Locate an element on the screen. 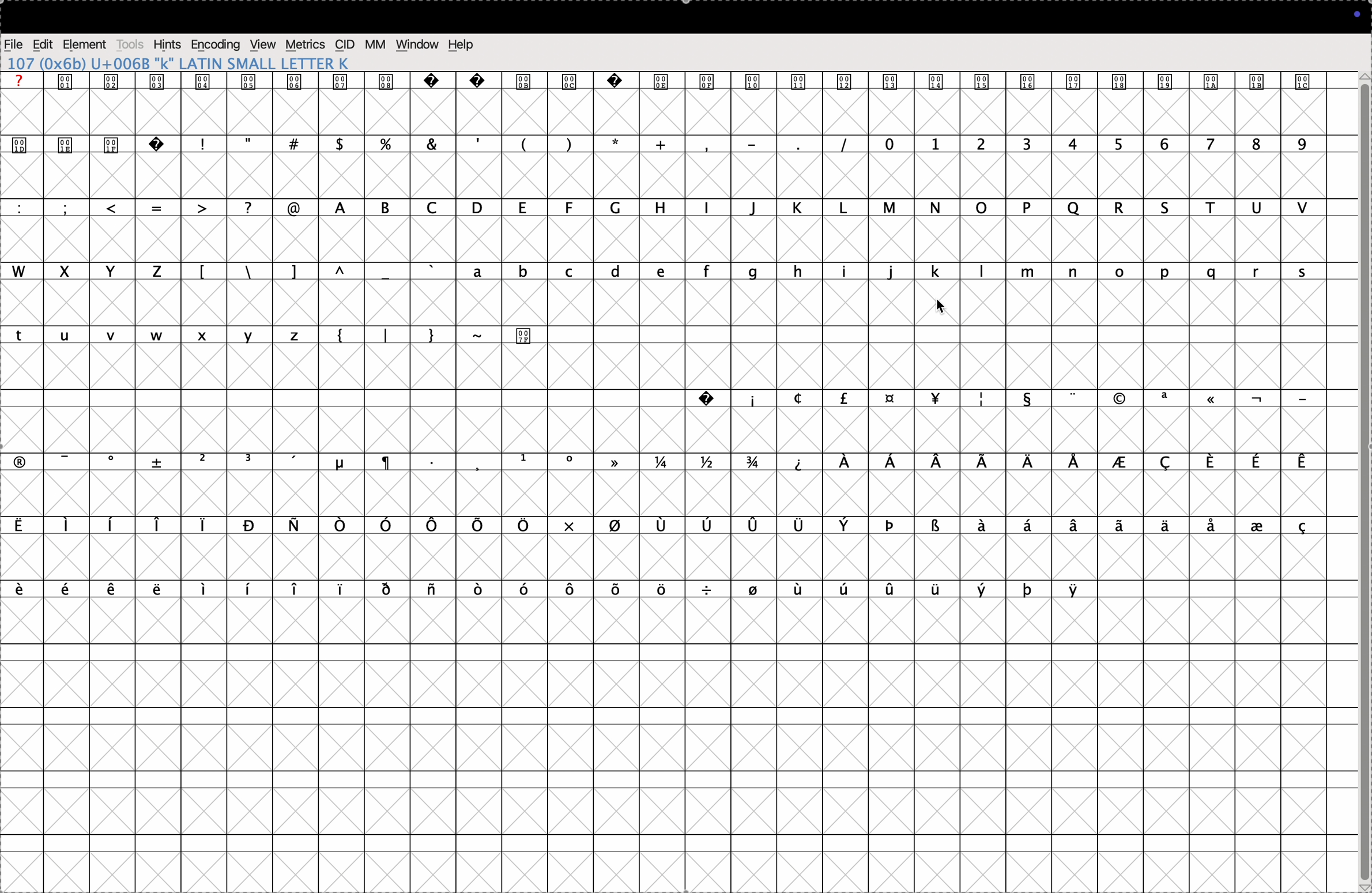 The height and width of the screenshot is (893, 1372). g is located at coordinates (619, 209).